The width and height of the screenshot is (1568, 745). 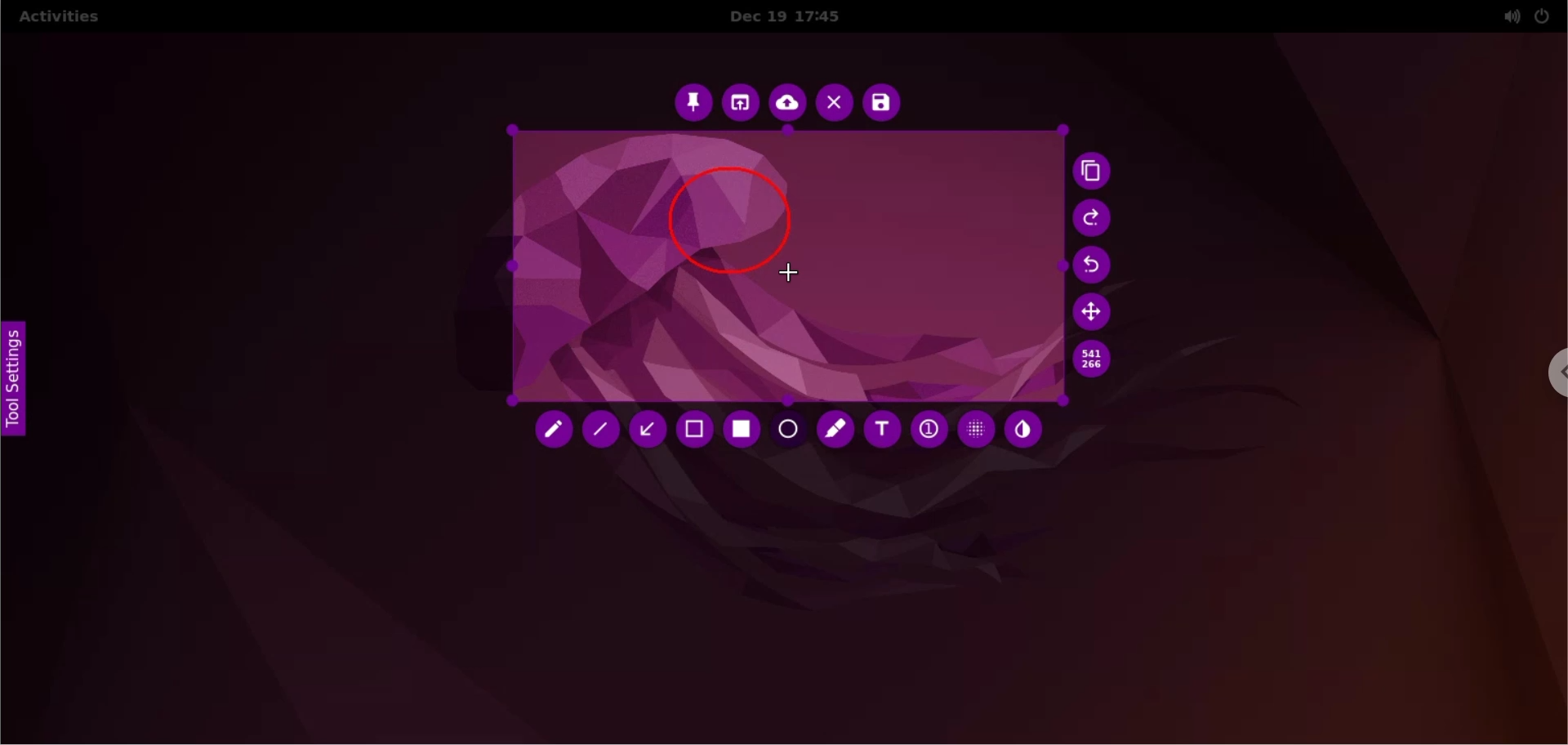 What do you see at coordinates (788, 105) in the screenshot?
I see `upload ` at bounding box center [788, 105].